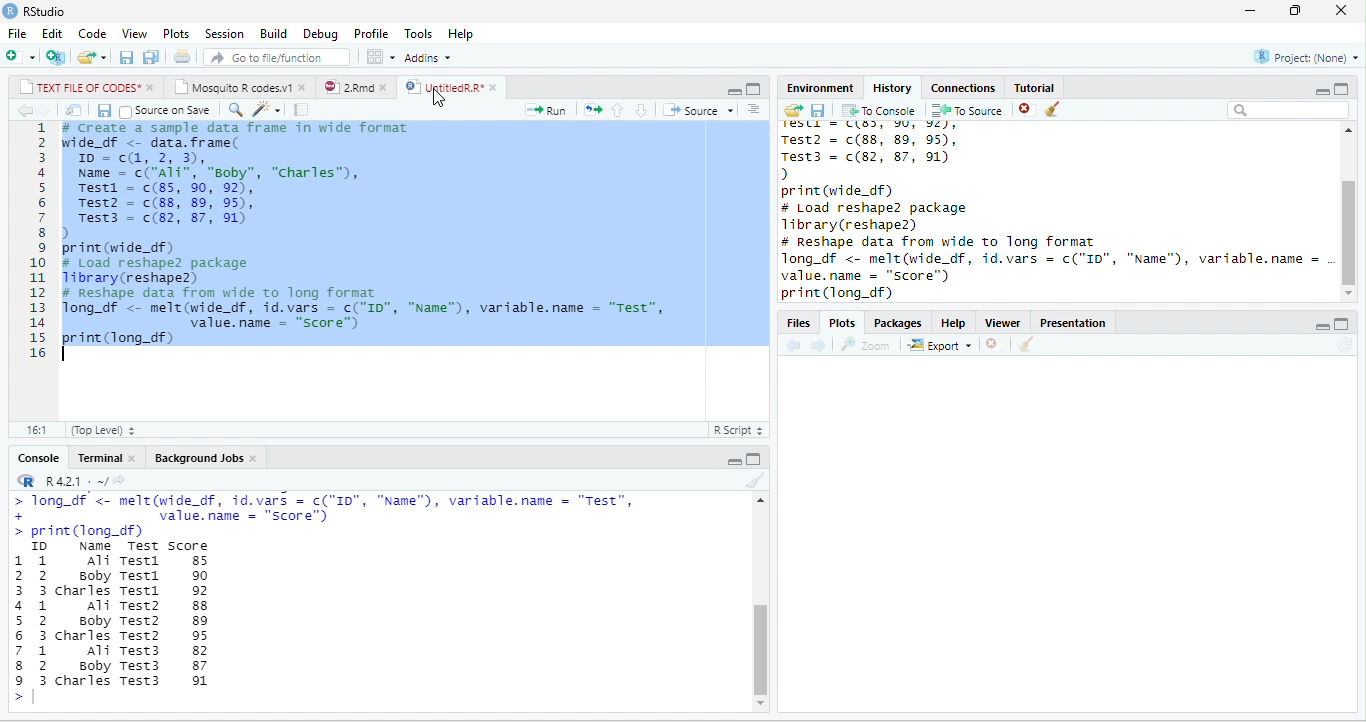 This screenshot has width=1366, height=722. What do you see at coordinates (994, 344) in the screenshot?
I see `close file` at bounding box center [994, 344].